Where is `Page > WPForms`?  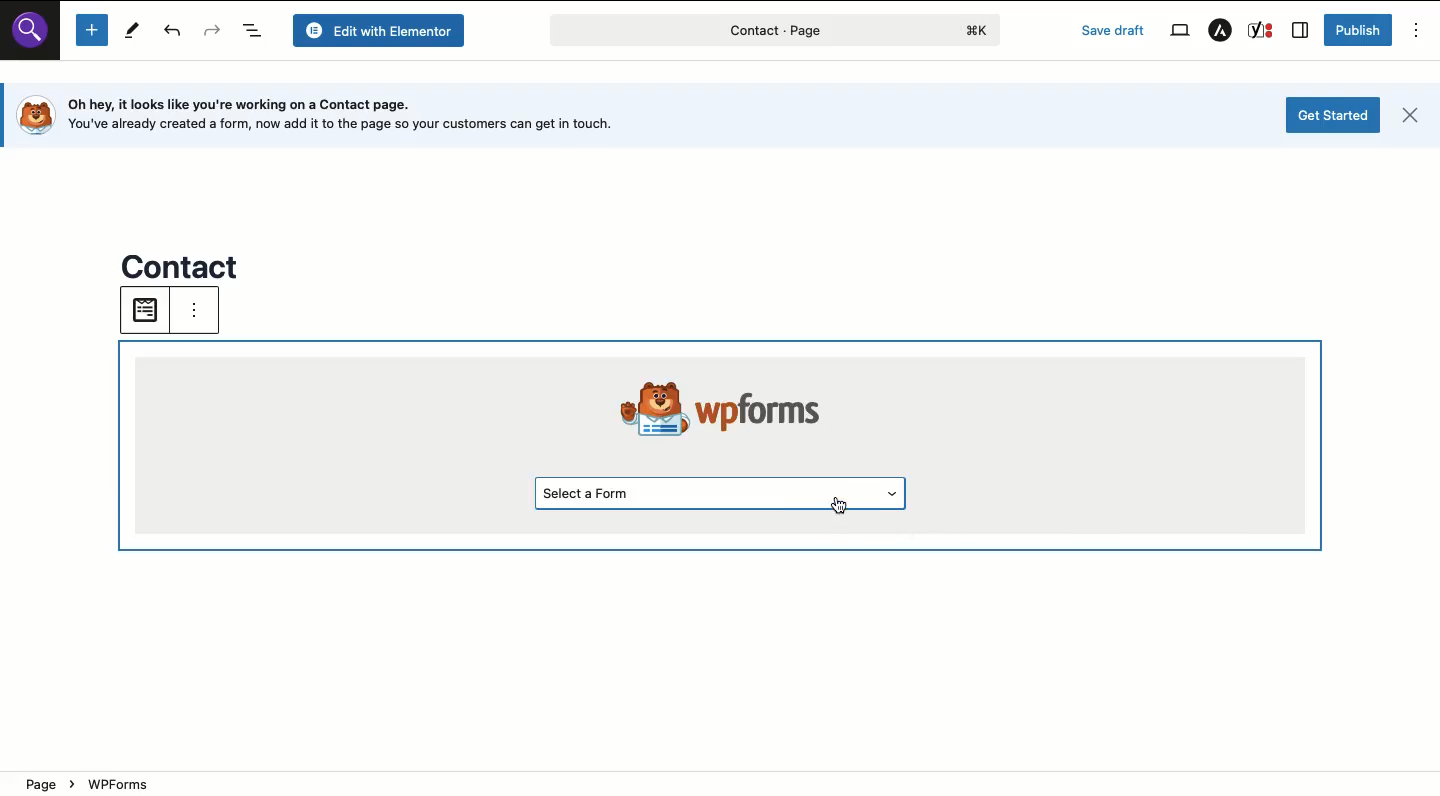 Page > WPForms is located at coordinates (249, 781).